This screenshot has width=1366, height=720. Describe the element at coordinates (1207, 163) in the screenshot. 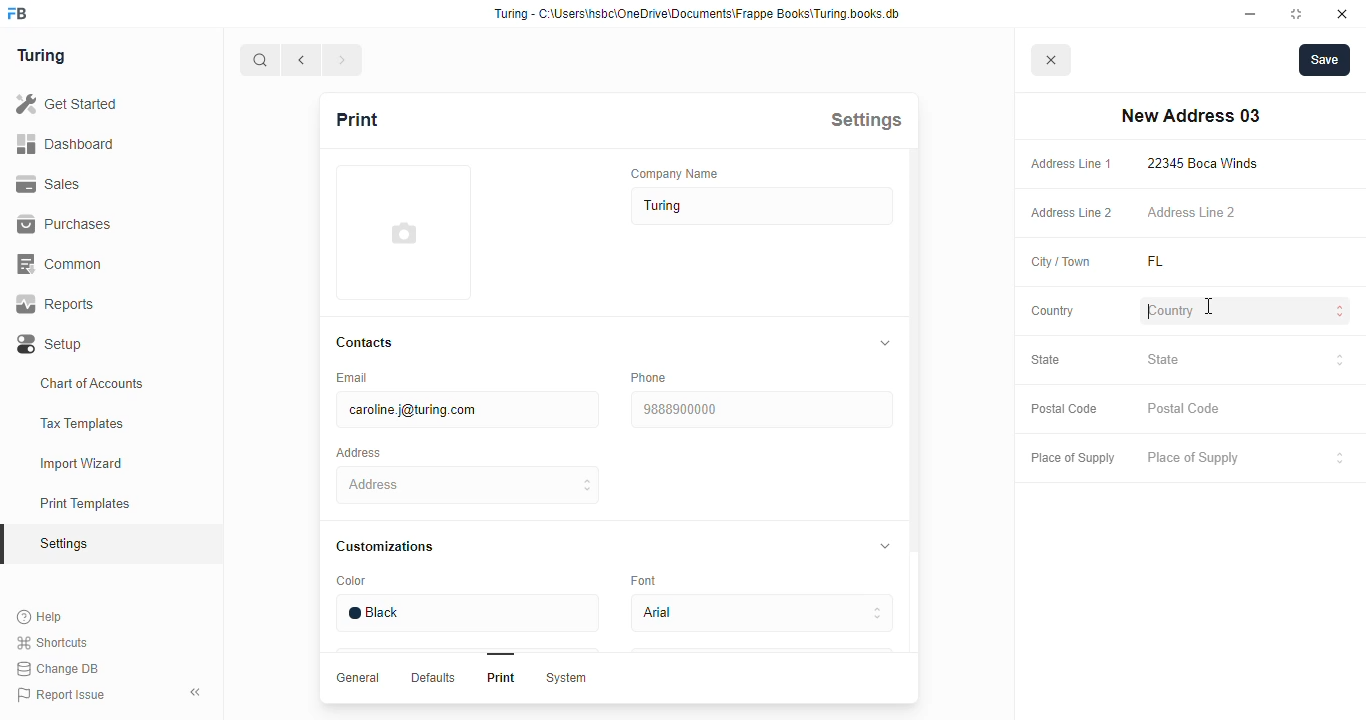

I see `22345 Boca Winds` at that location.